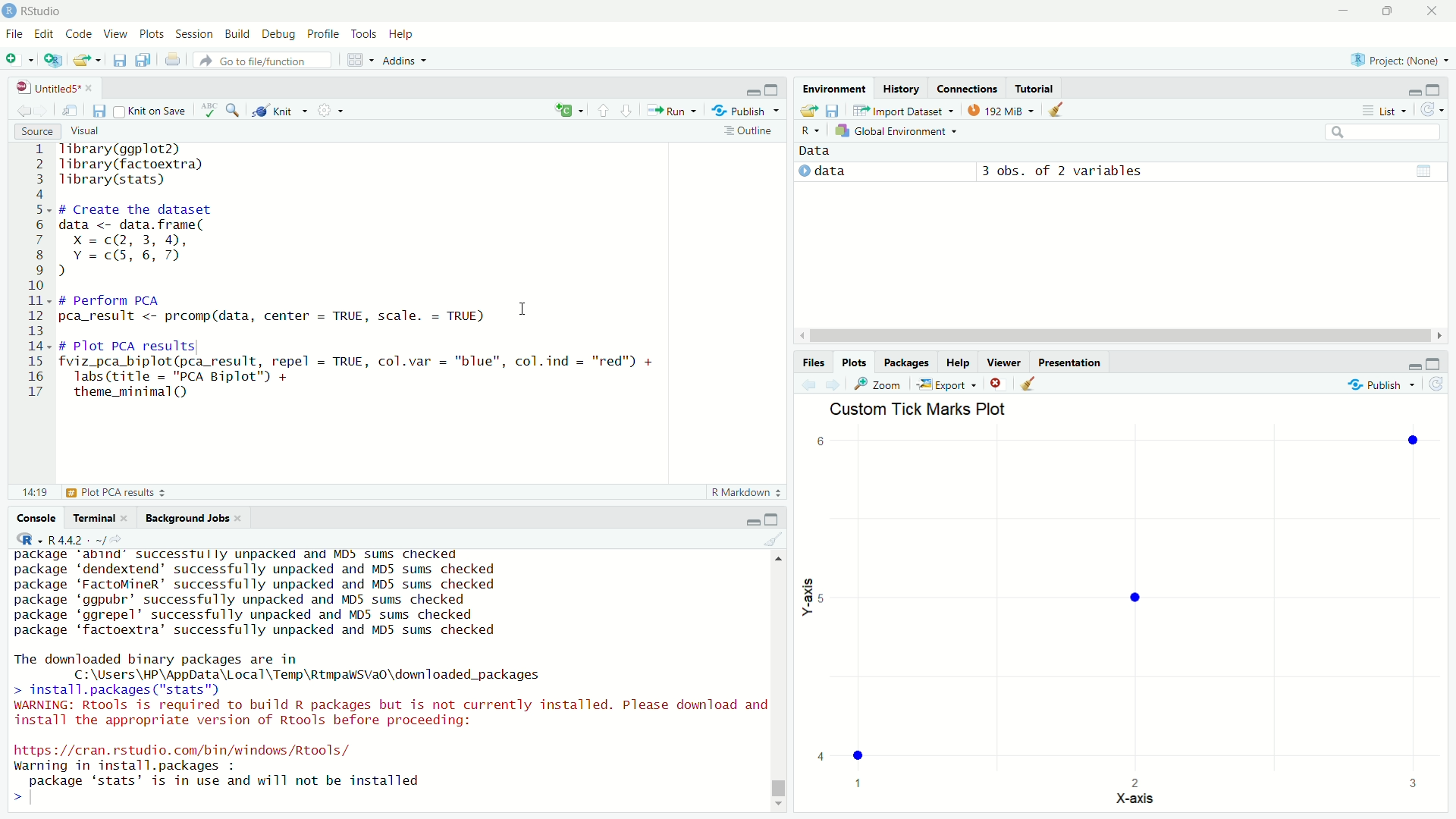 Image resolution: width=1456 pixels, height=819 pixels. I want to click on file name: untitled5, so click(55, 87).